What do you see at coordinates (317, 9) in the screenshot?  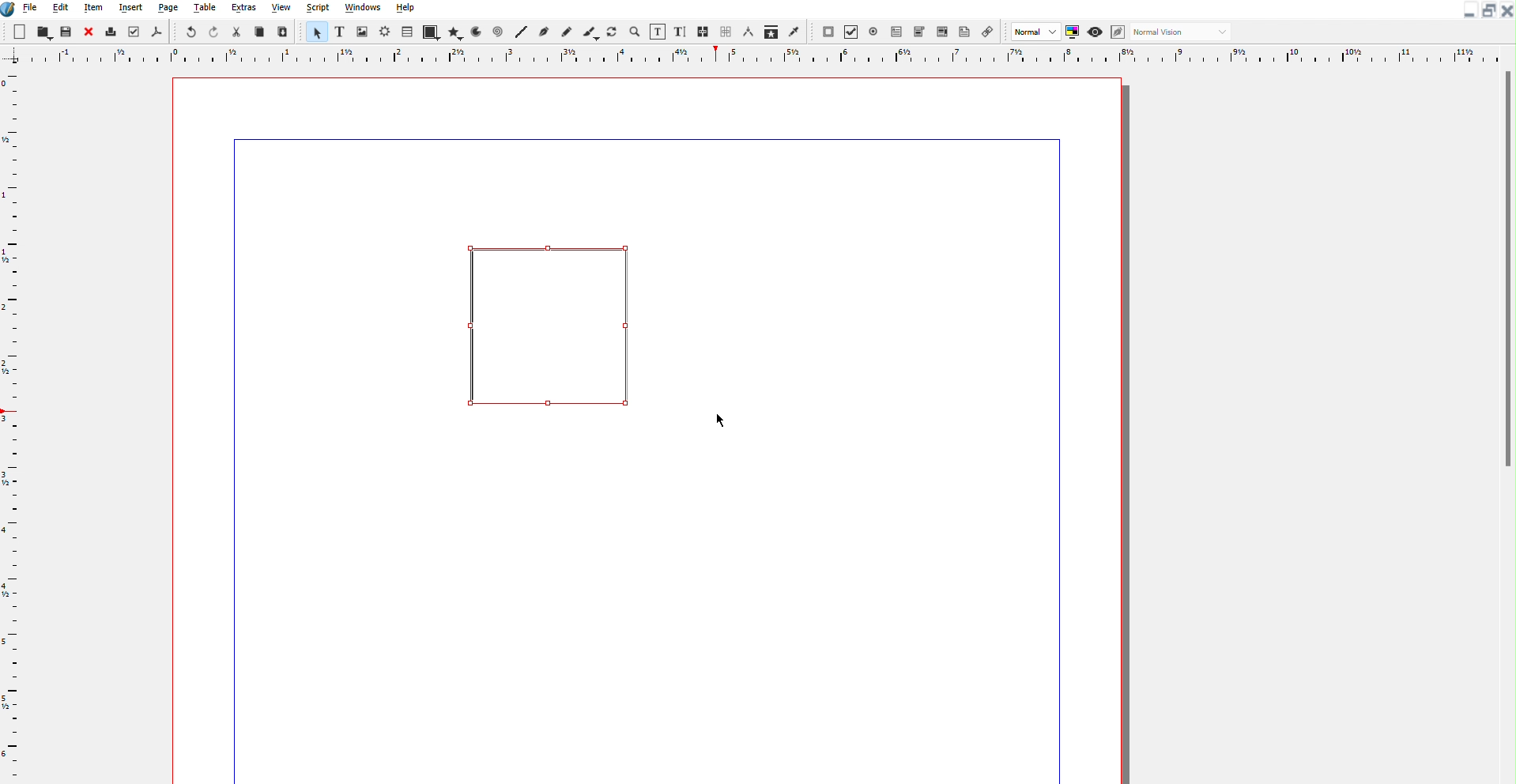 I see `Script` at bounding box center [317, 9].